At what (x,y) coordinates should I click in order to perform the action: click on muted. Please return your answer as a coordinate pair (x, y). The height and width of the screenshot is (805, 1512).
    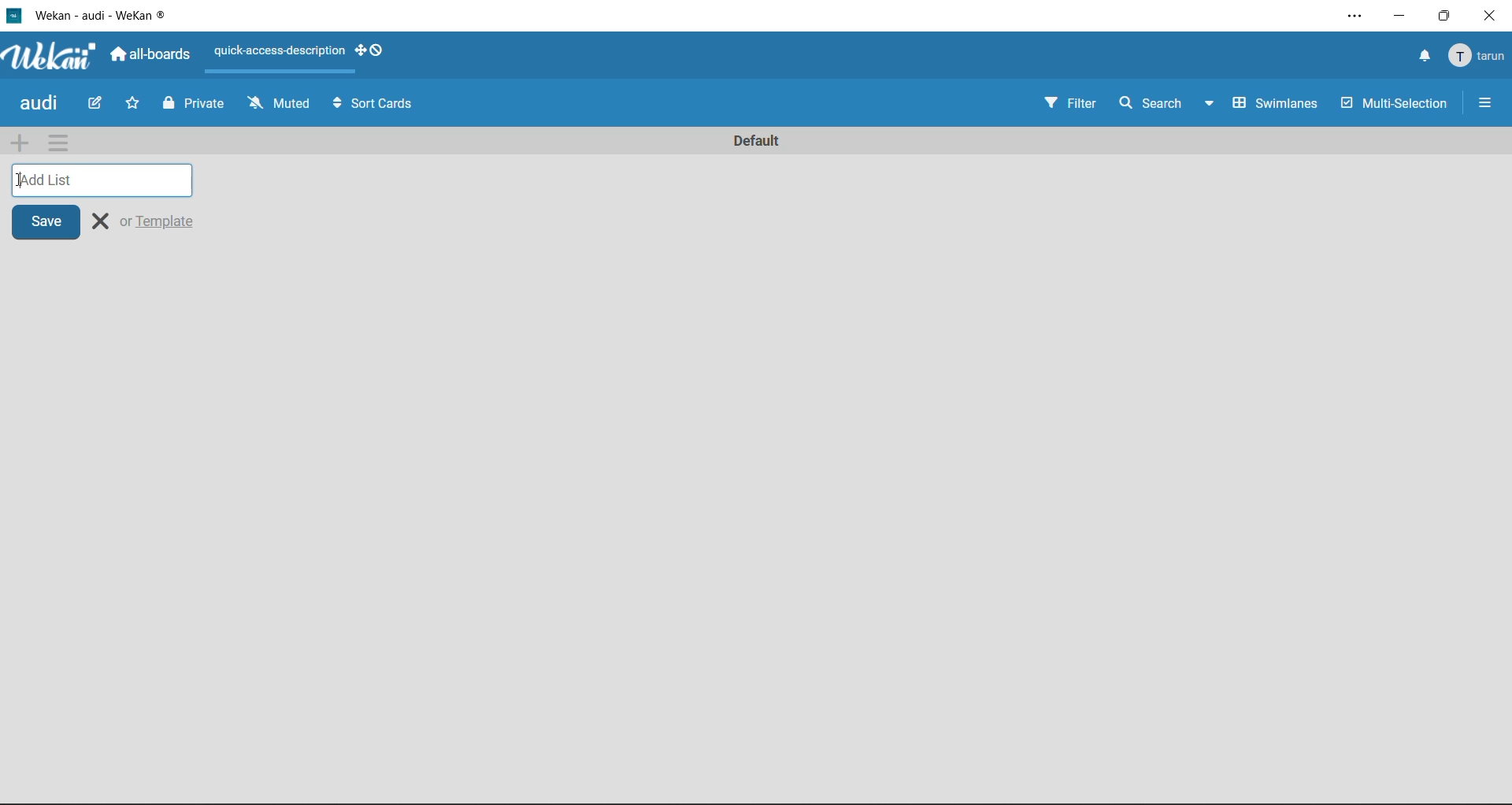
    Looking at the image, I should click on (280, 107).